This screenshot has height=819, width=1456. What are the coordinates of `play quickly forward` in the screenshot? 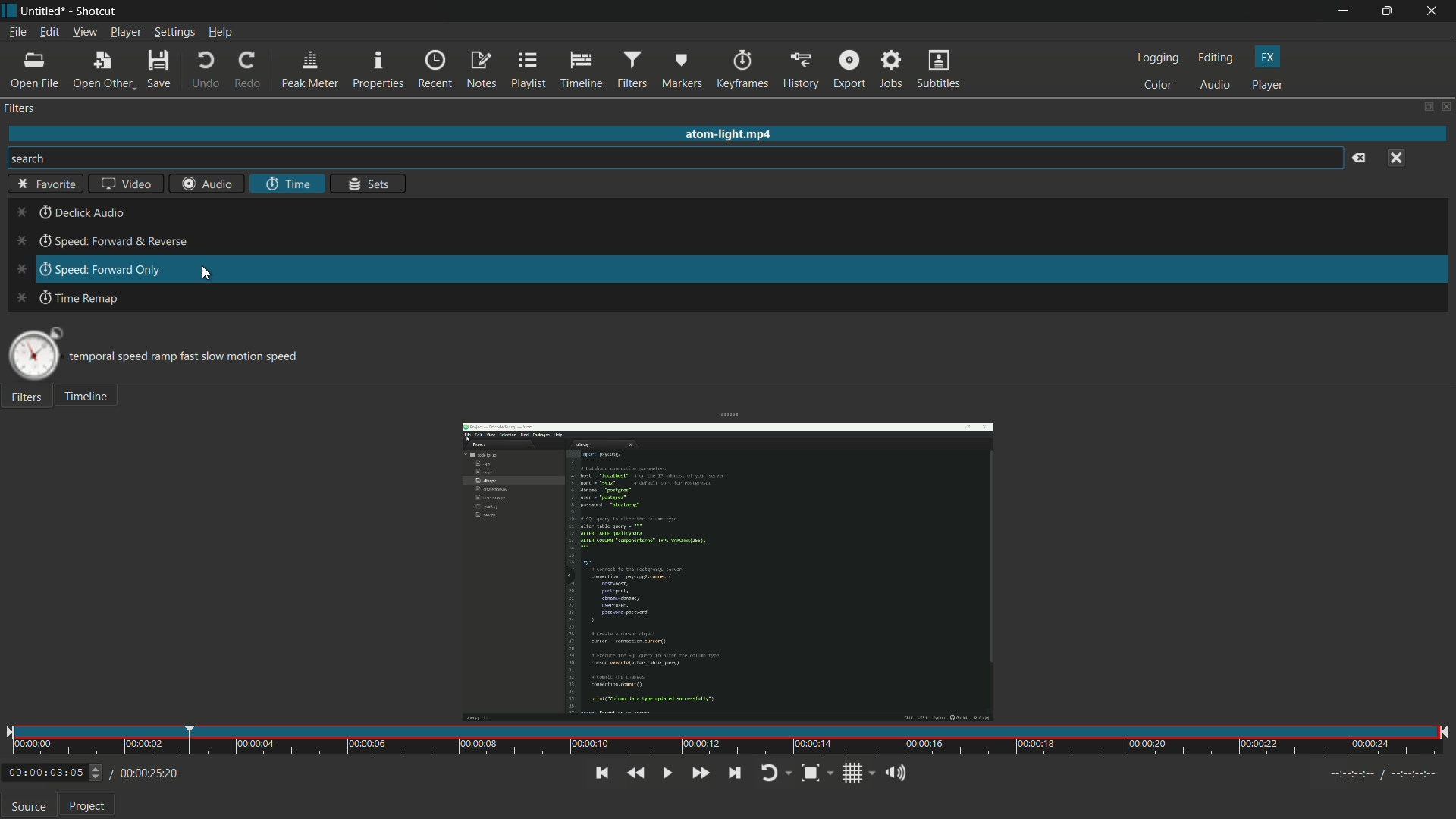 It's located at (702, 772).